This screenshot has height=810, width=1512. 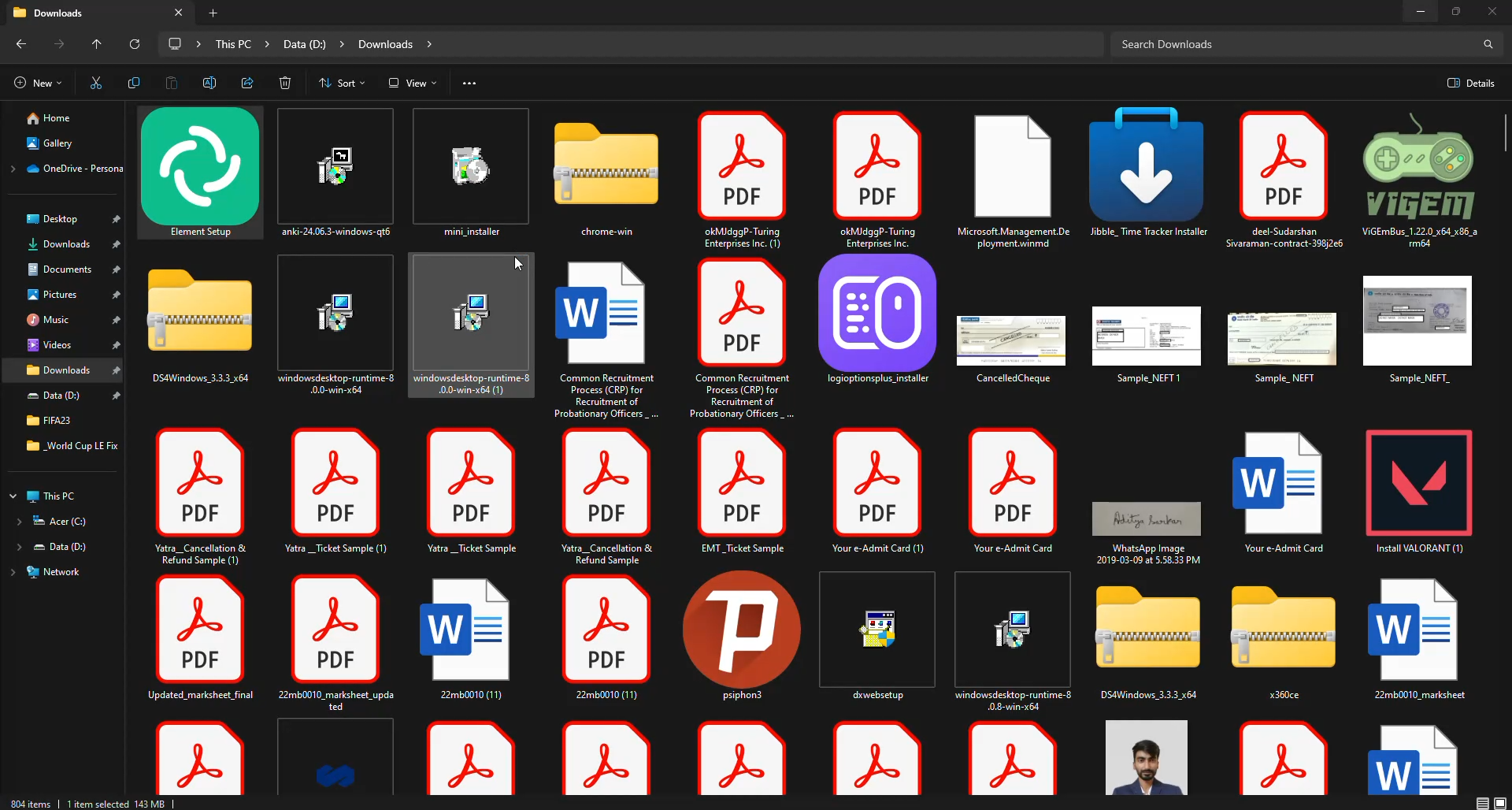 What do you see at coordinates (1420, 325) in the screenshot?
I see `file` at bounding box center [1420, 325].